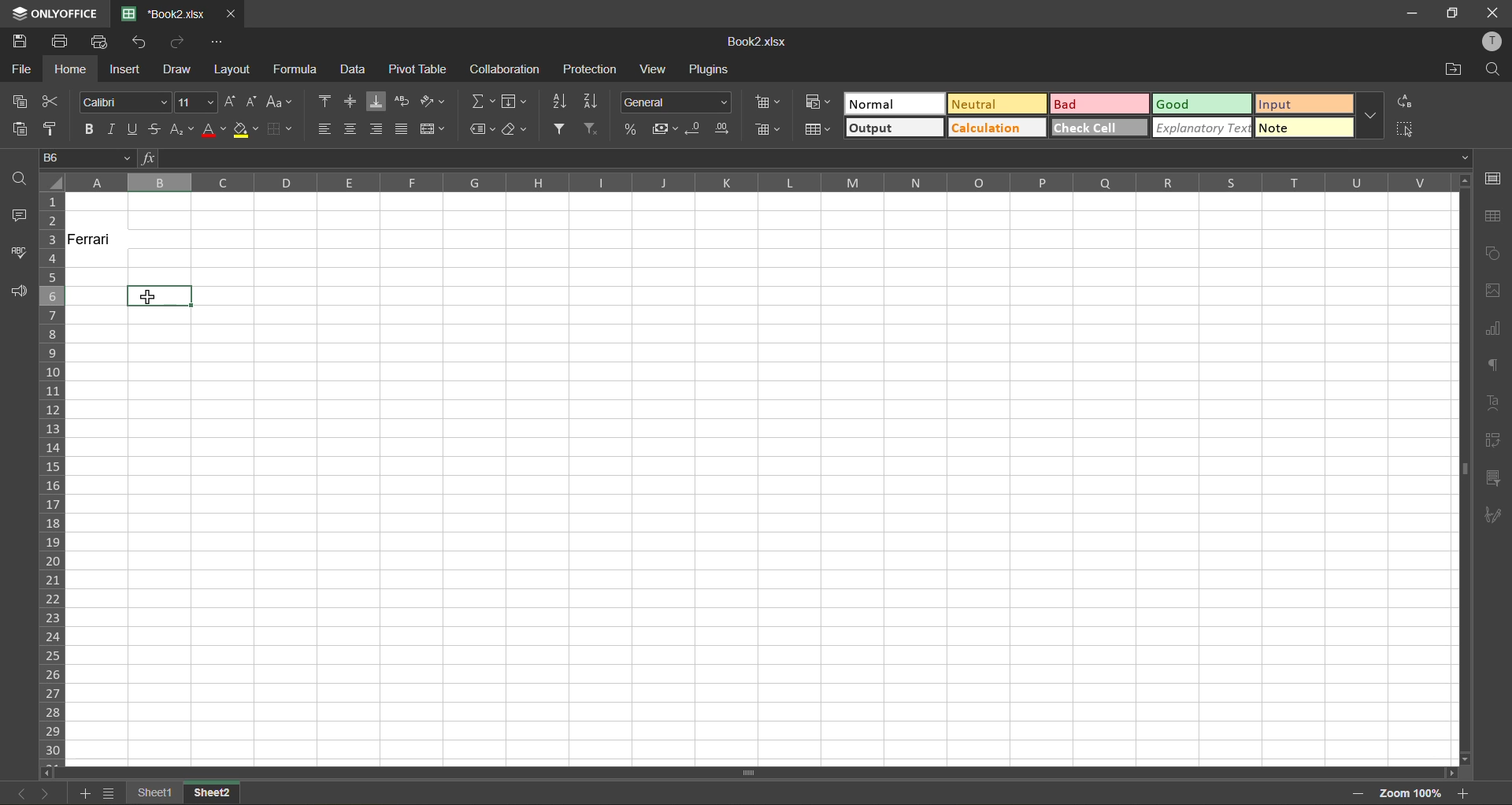  Describe the element at coordinates (198, 102) in the screenshot. I see `font size` at that location.